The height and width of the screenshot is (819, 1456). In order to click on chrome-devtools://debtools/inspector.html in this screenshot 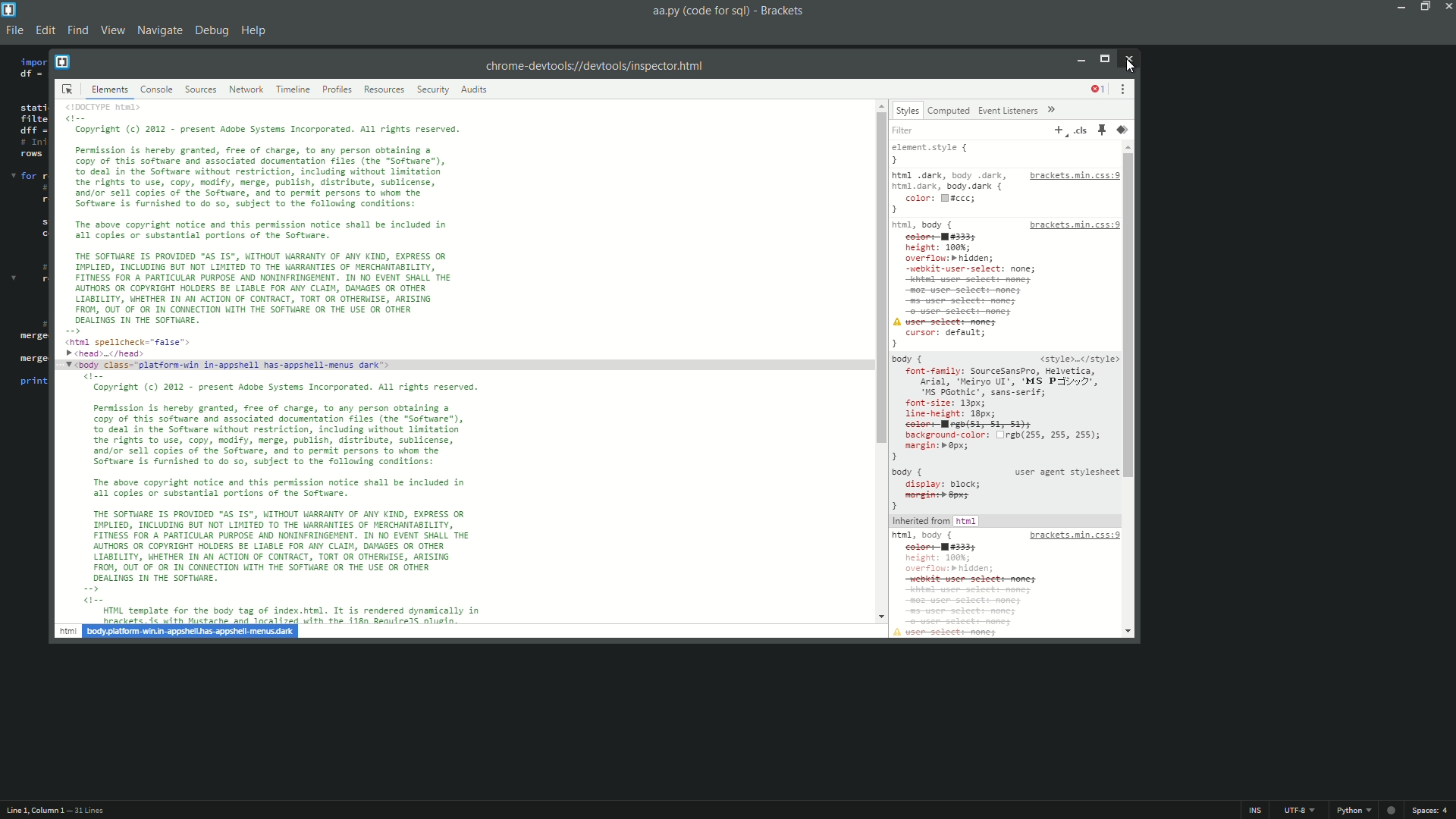, I will do `click(597, 63)`.